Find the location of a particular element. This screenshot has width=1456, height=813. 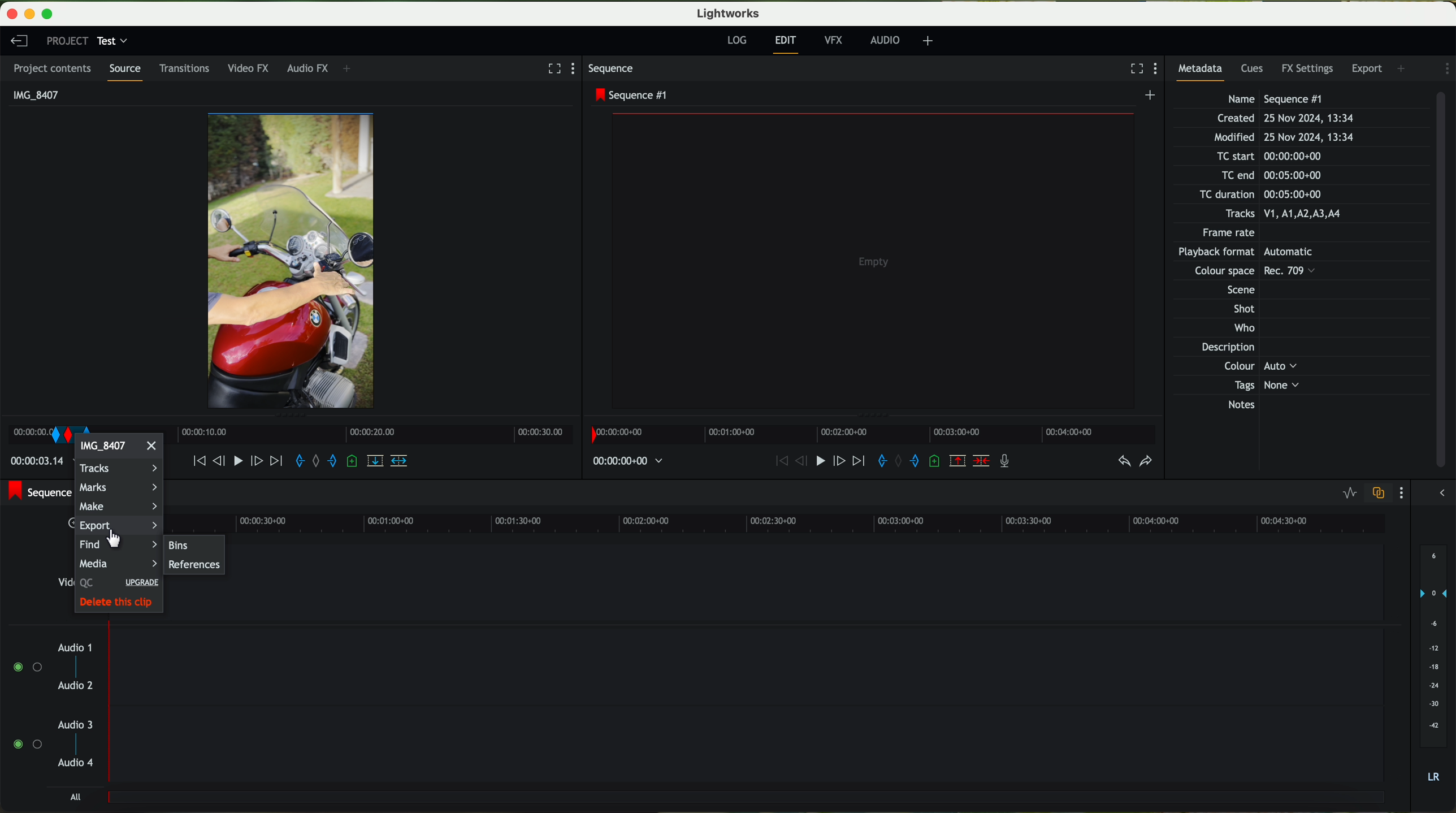

redo is located at coordinates (1146, 462).